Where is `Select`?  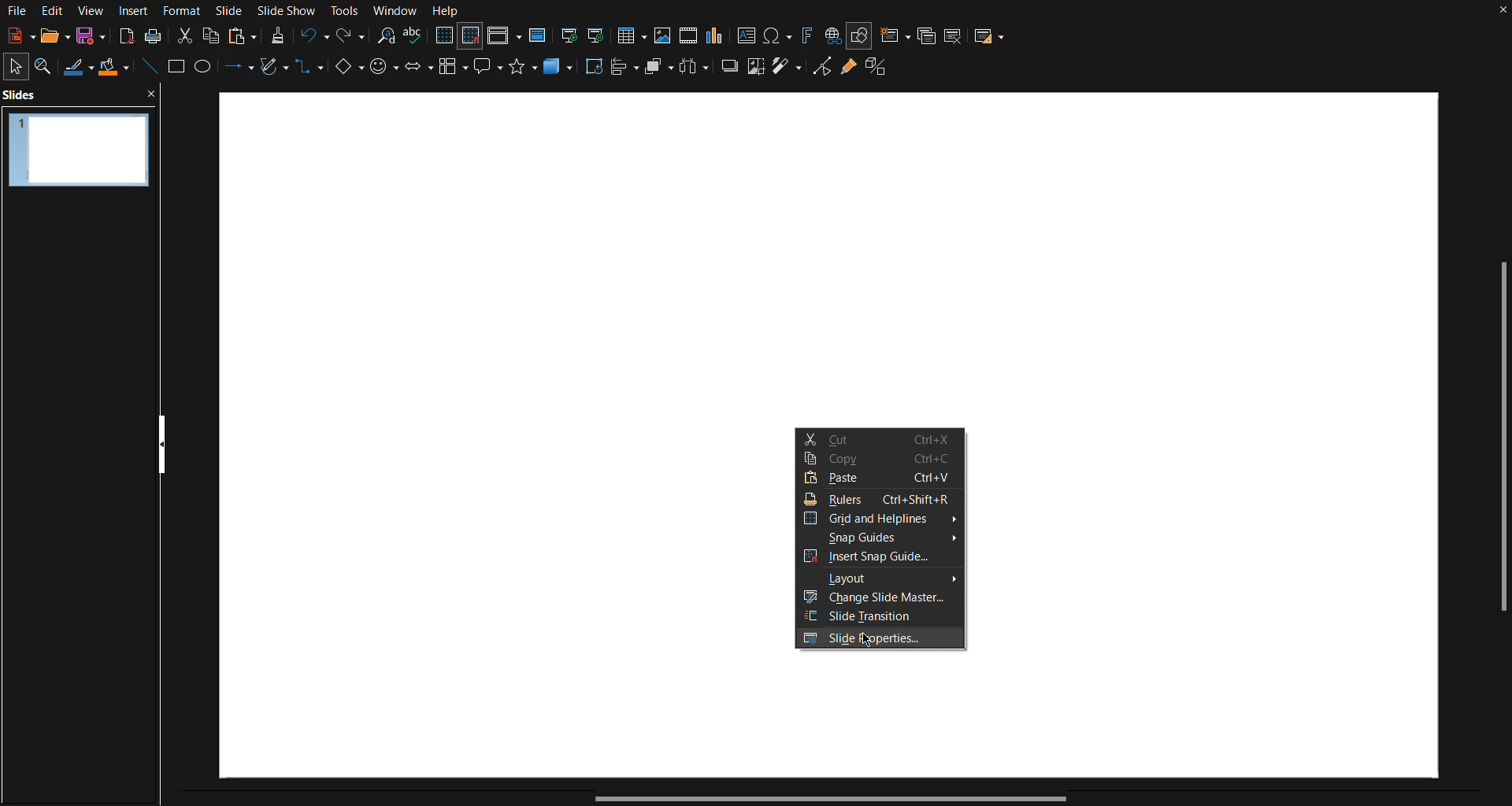 Select is located at coordinates (17, 65).